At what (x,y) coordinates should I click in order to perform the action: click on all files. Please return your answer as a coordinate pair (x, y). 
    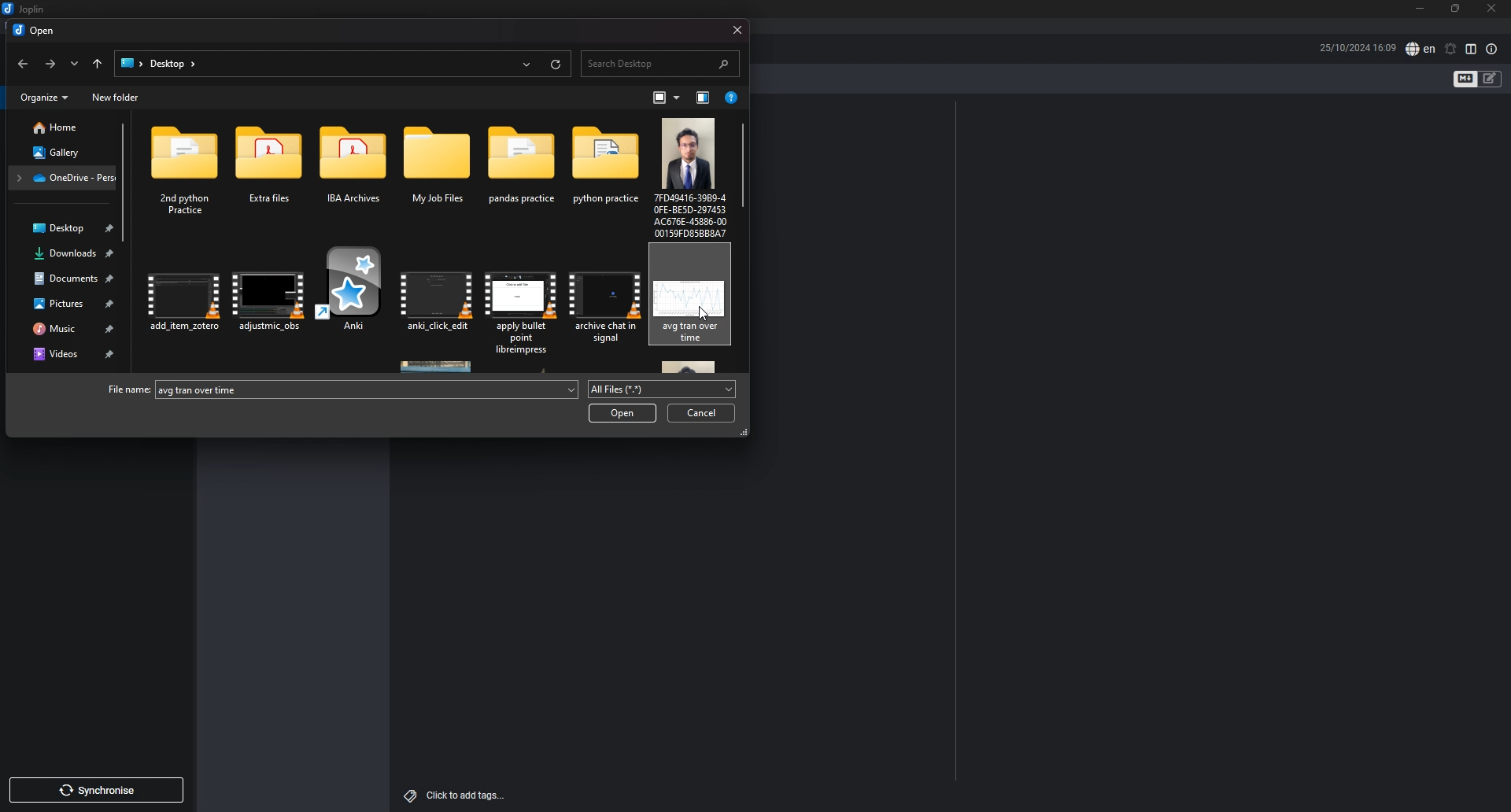
    Looking at the image, I should click on (663, 389).